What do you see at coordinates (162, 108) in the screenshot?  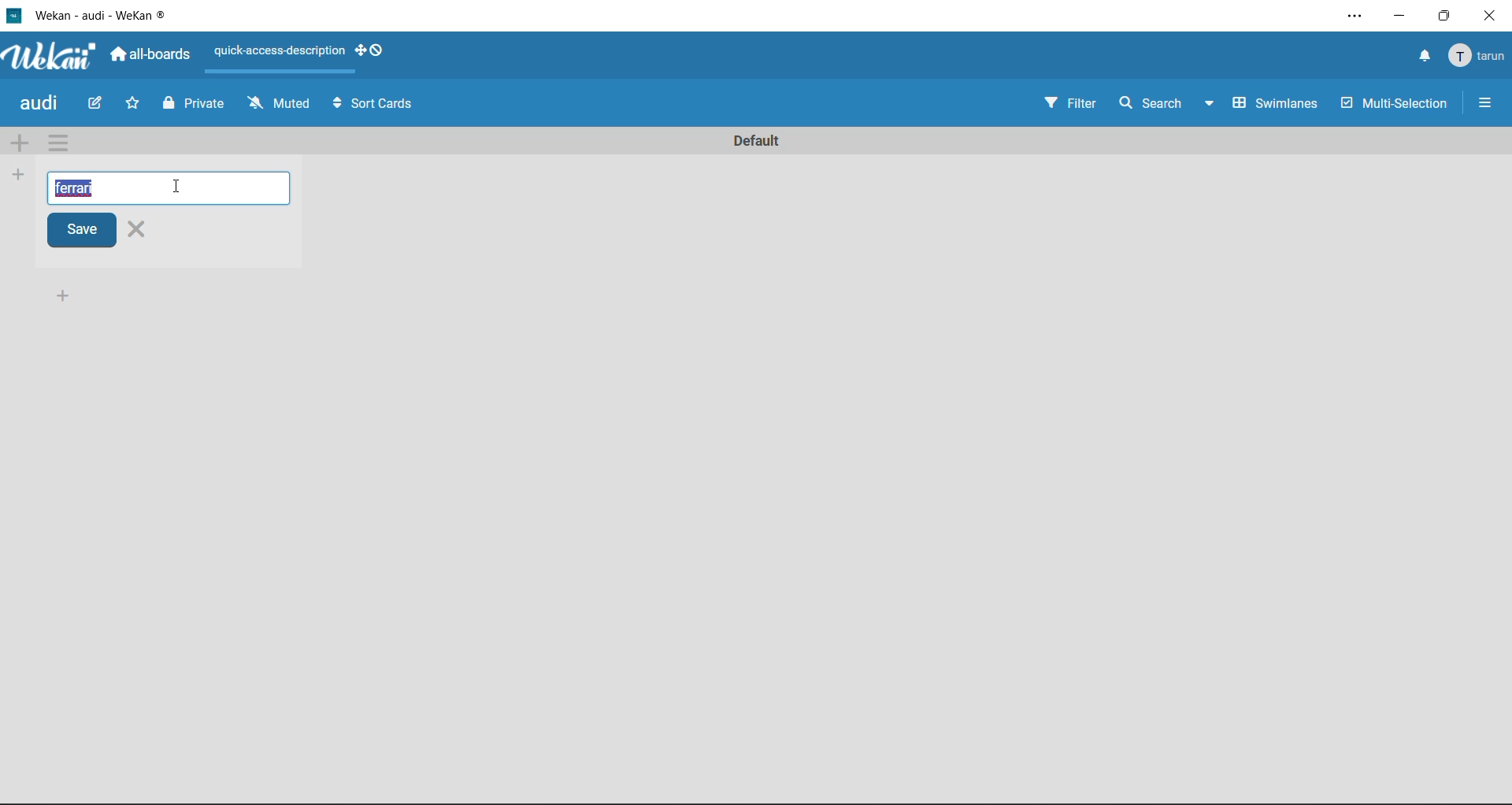 I see `Private` at bounding box center [162, 108].